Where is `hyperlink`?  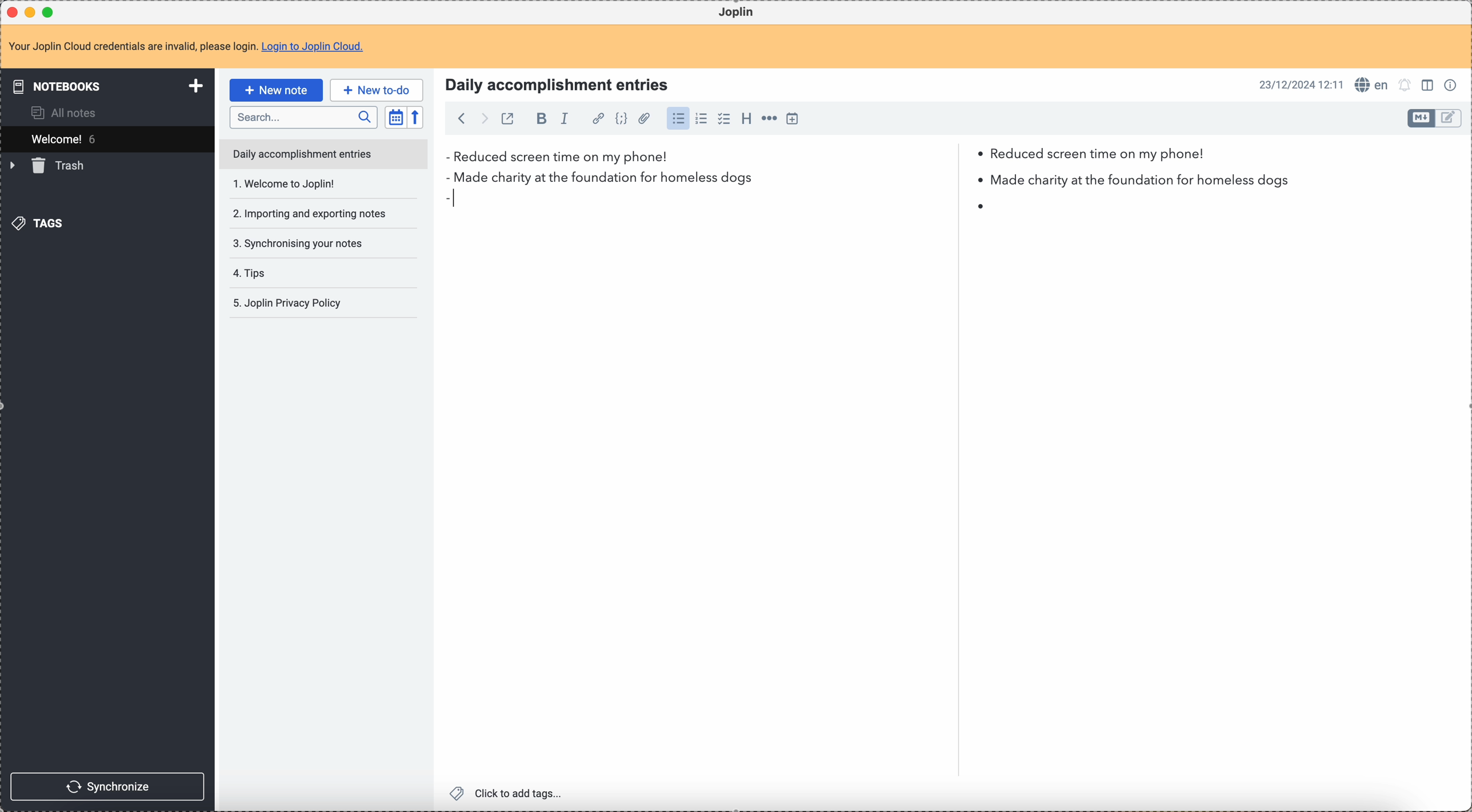 hyperlink is located at coordinates (598, 119).